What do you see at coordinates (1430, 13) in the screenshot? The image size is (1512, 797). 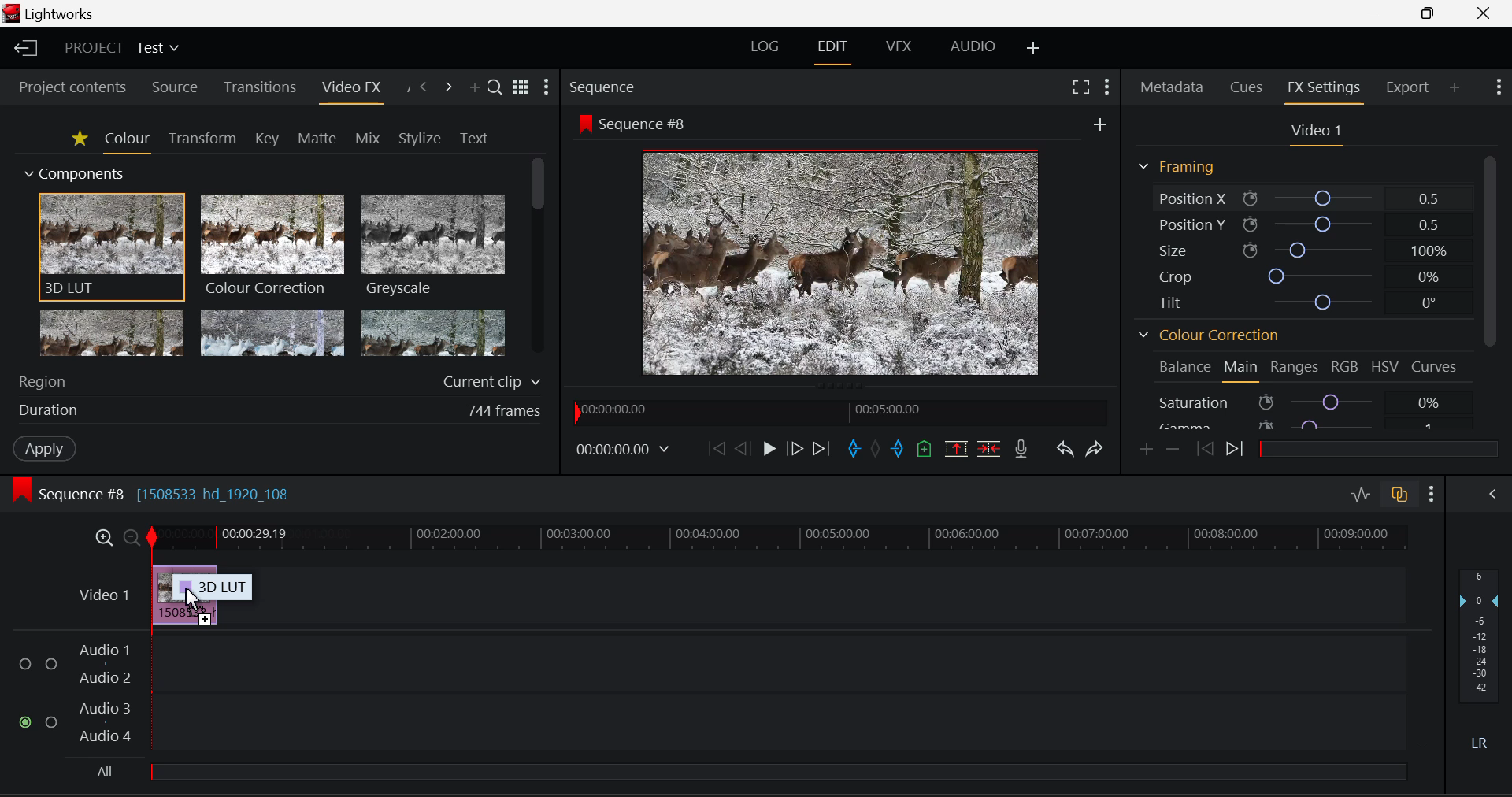 I see `Minimize` at bounding box center [1430, 13].